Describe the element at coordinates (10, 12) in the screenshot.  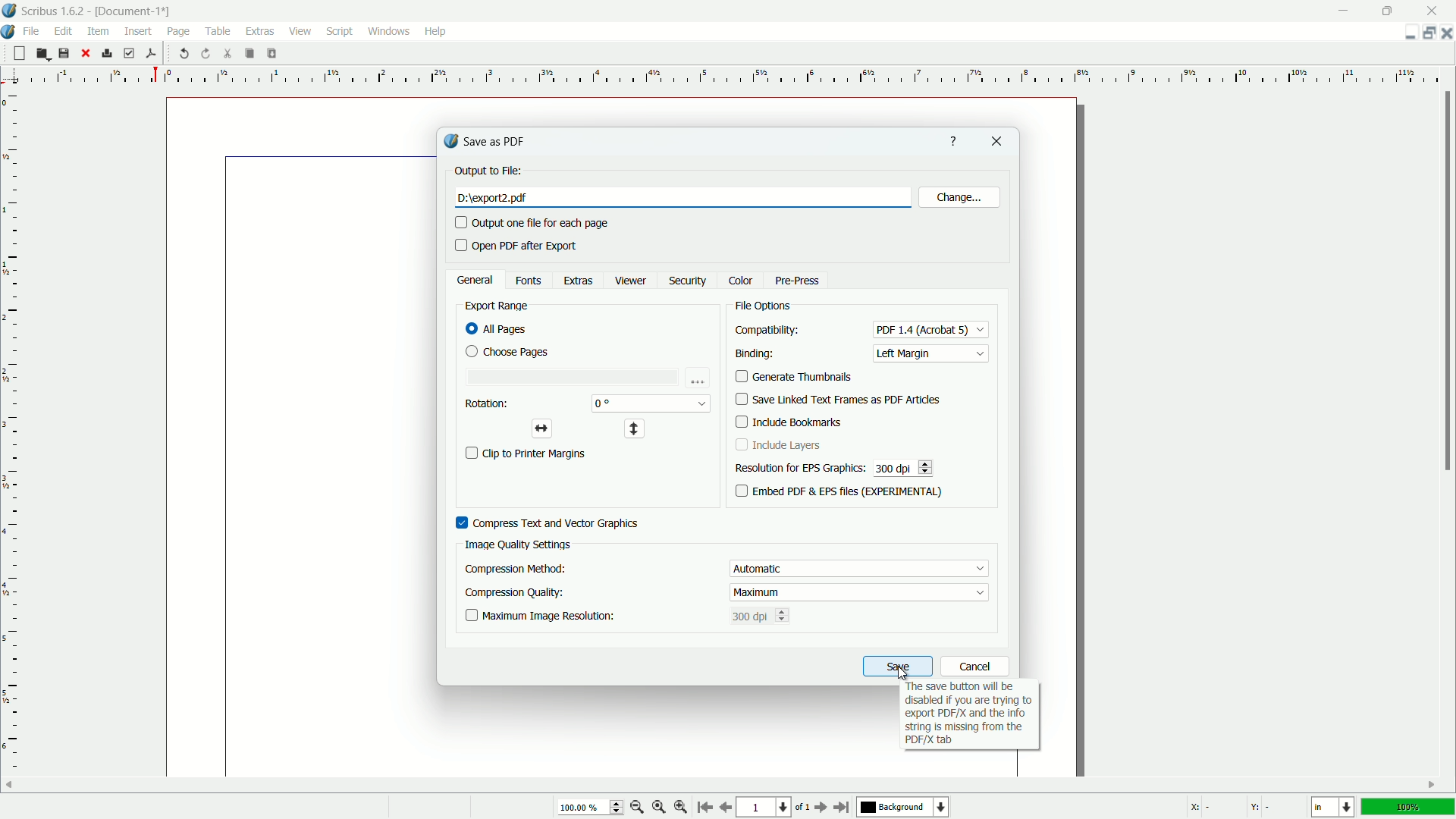
I see `app icon` at that location.